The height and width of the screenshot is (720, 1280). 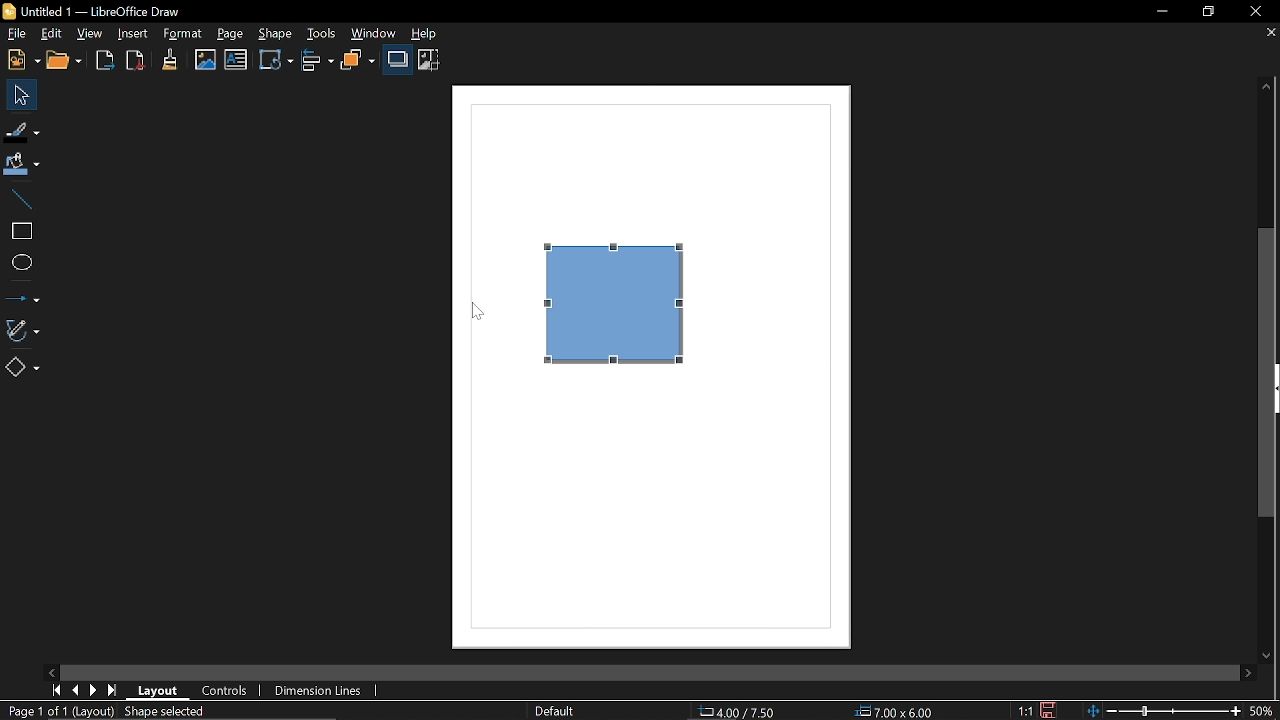 What do you see at coordinates (1268, 657) in the screenshot?
I see `Move down` at bounding box center [1268, 657].